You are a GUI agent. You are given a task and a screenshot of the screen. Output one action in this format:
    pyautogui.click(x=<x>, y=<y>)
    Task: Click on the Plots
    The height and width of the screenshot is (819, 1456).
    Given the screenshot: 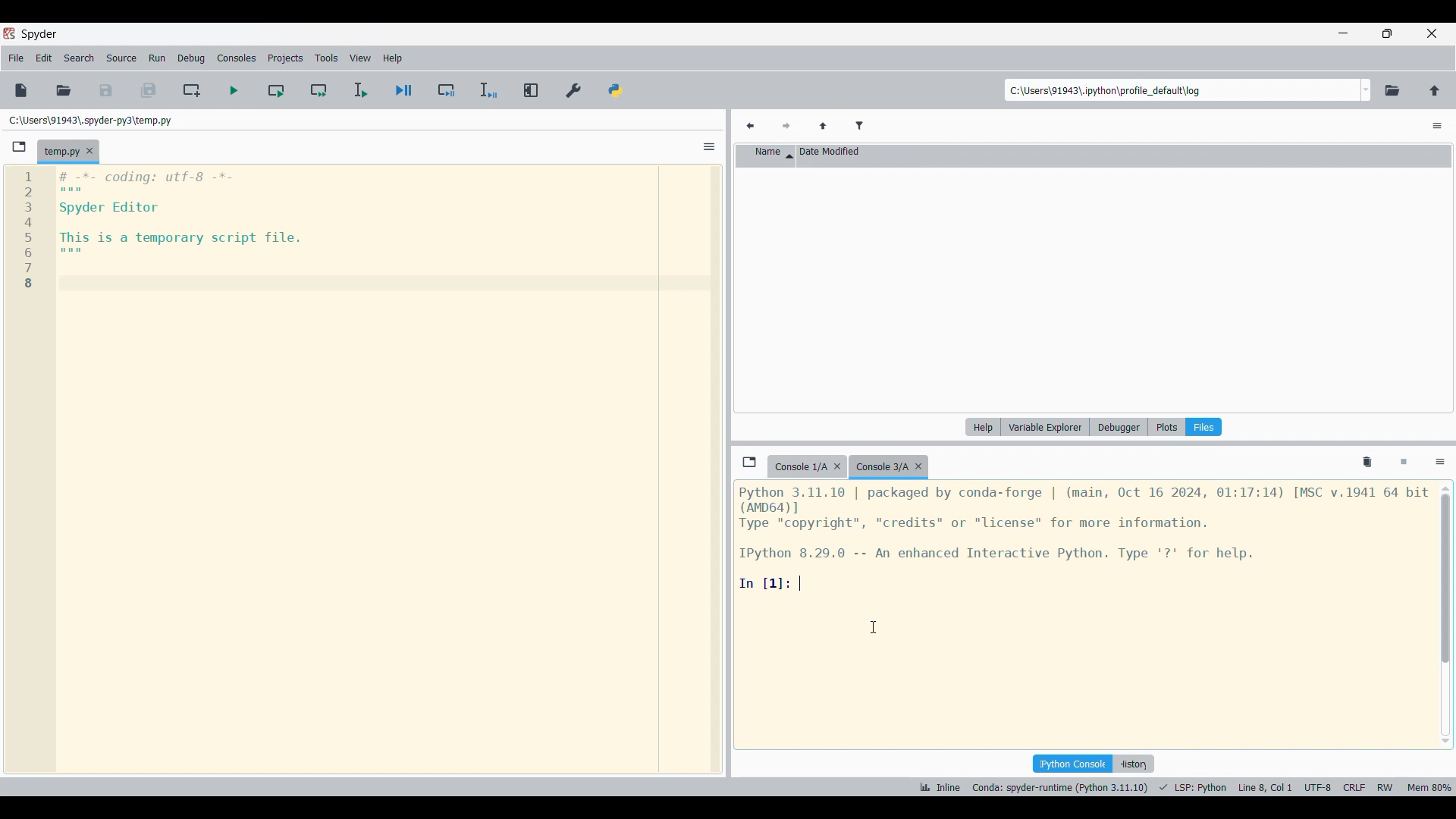 What is the action you would take?
    pyautogui.click(x=1166, y=427)
    